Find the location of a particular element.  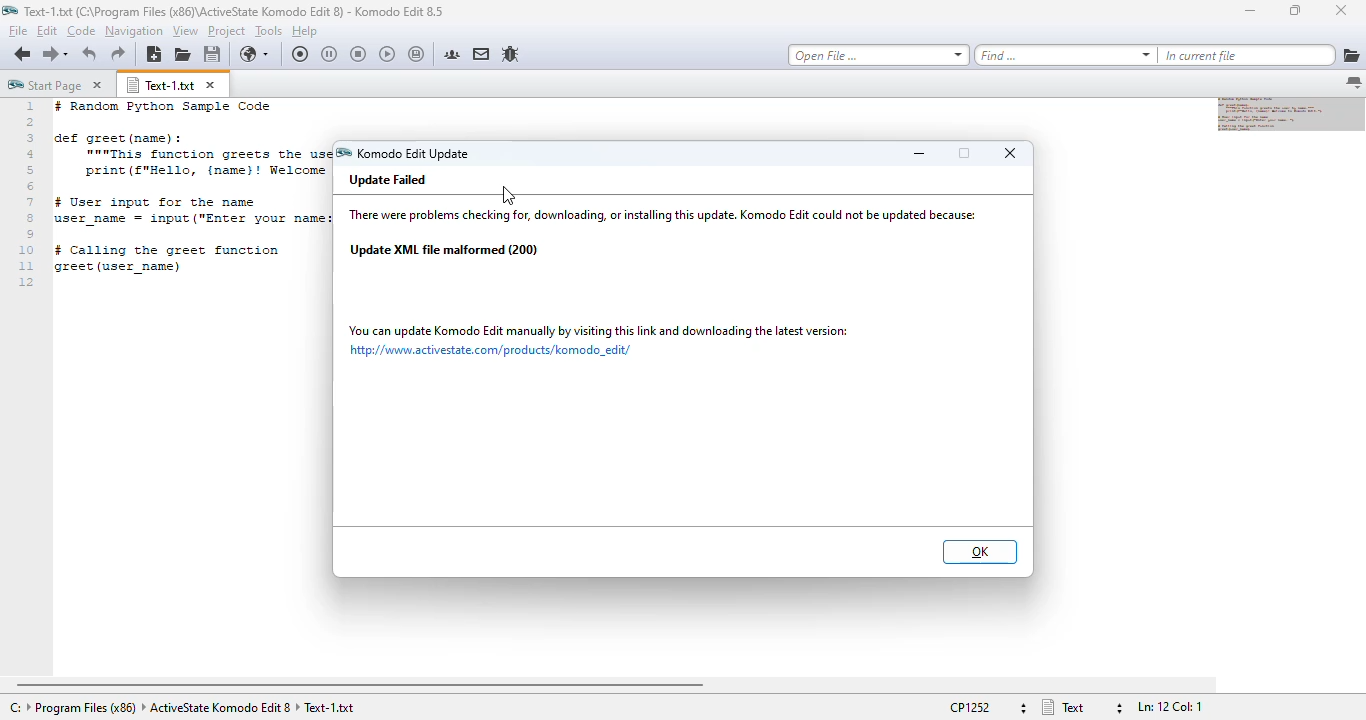

komodo edit update is located at coordinates (403, 154).